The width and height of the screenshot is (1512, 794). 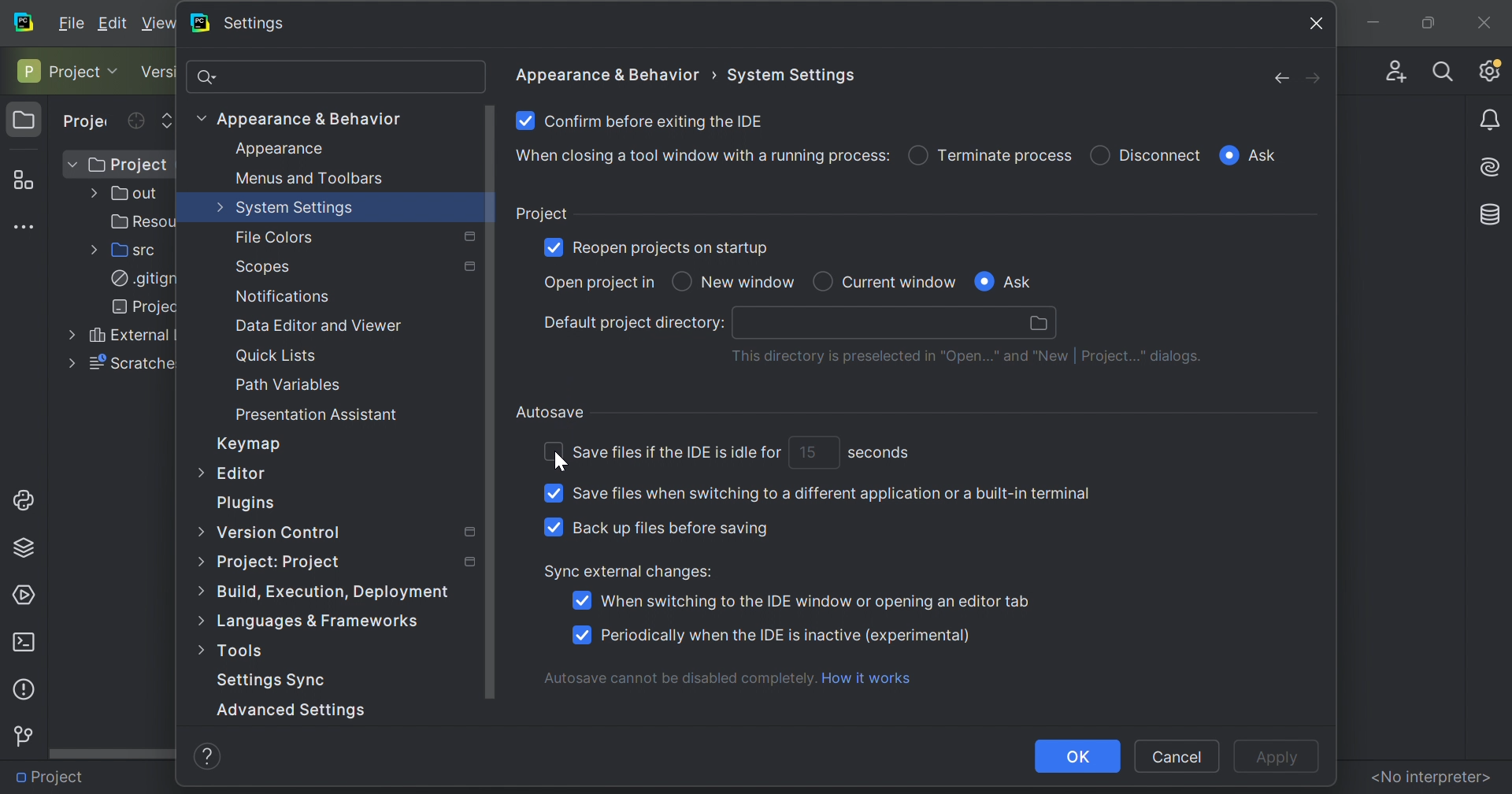 What do you see at coordinates (552, 450) in the screenshot?
I see `Checkbox` at bounding box center [552, 450].